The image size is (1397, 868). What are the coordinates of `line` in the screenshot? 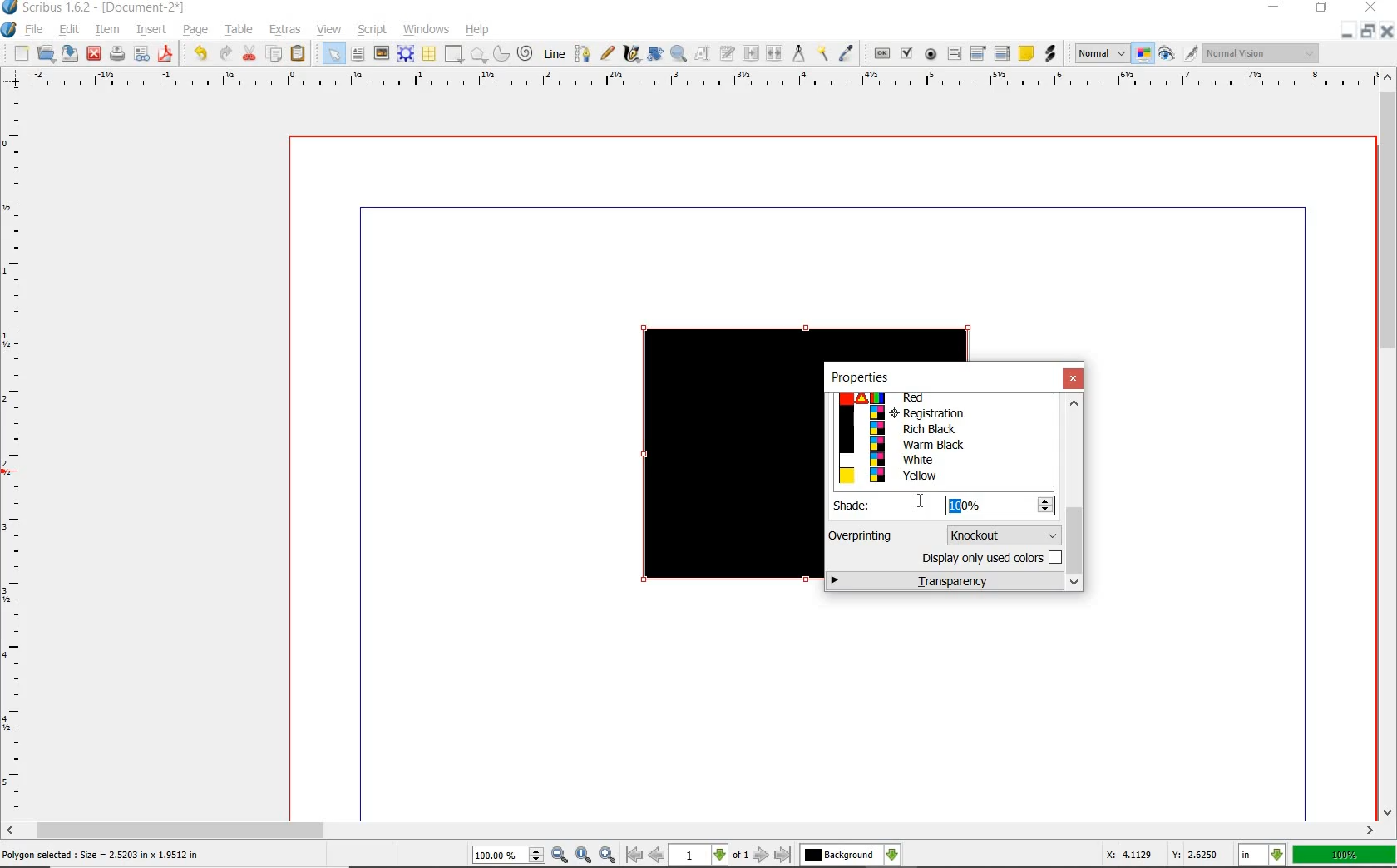 It's located at (555, 53).